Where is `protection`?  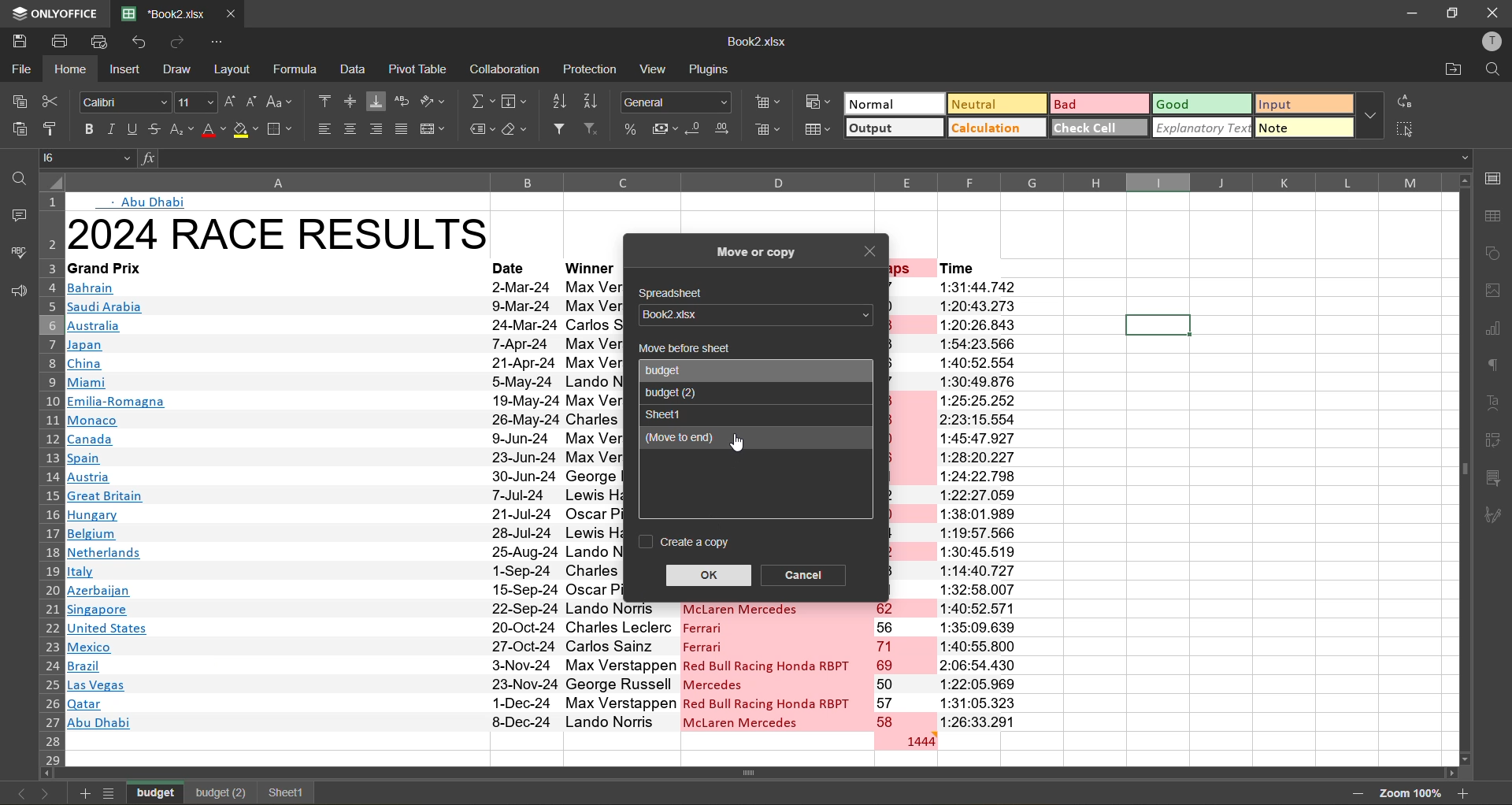 protection is located at coordinates (590, 70).